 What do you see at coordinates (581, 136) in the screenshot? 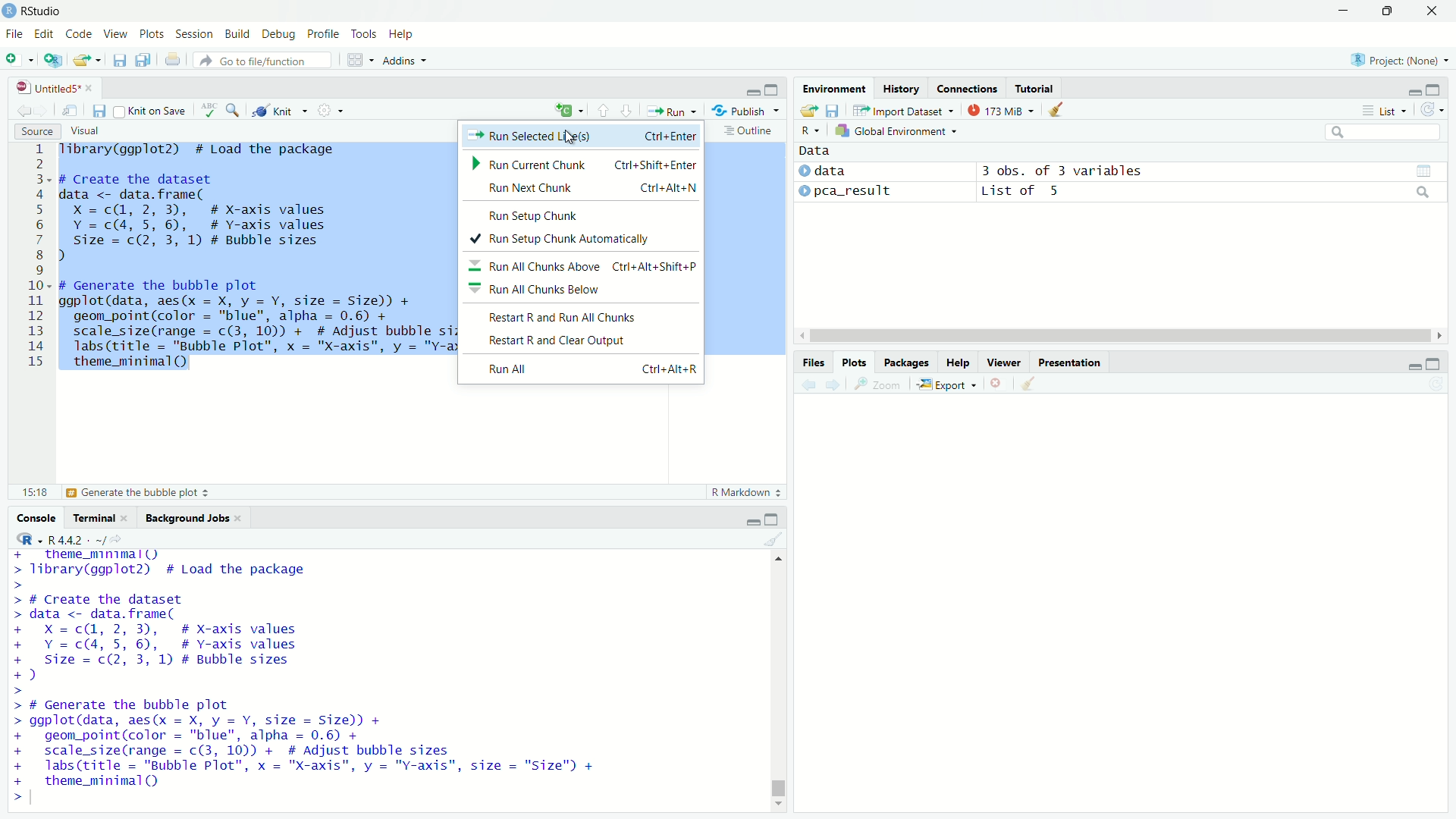
I see `run selected lines` at bounding box center [581, 136].